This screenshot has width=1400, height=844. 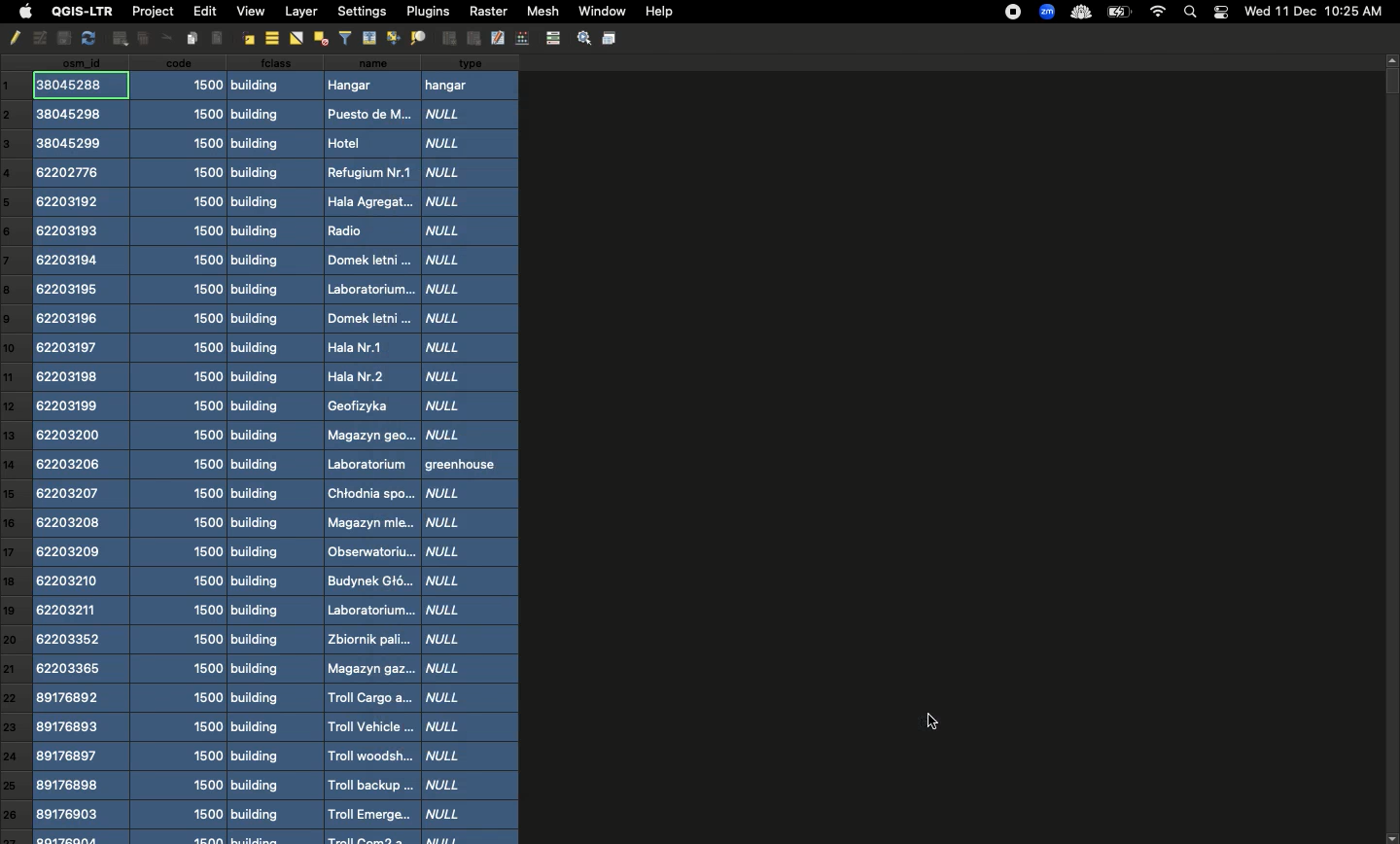 I want to click on Type, so click(x=472, y=448).